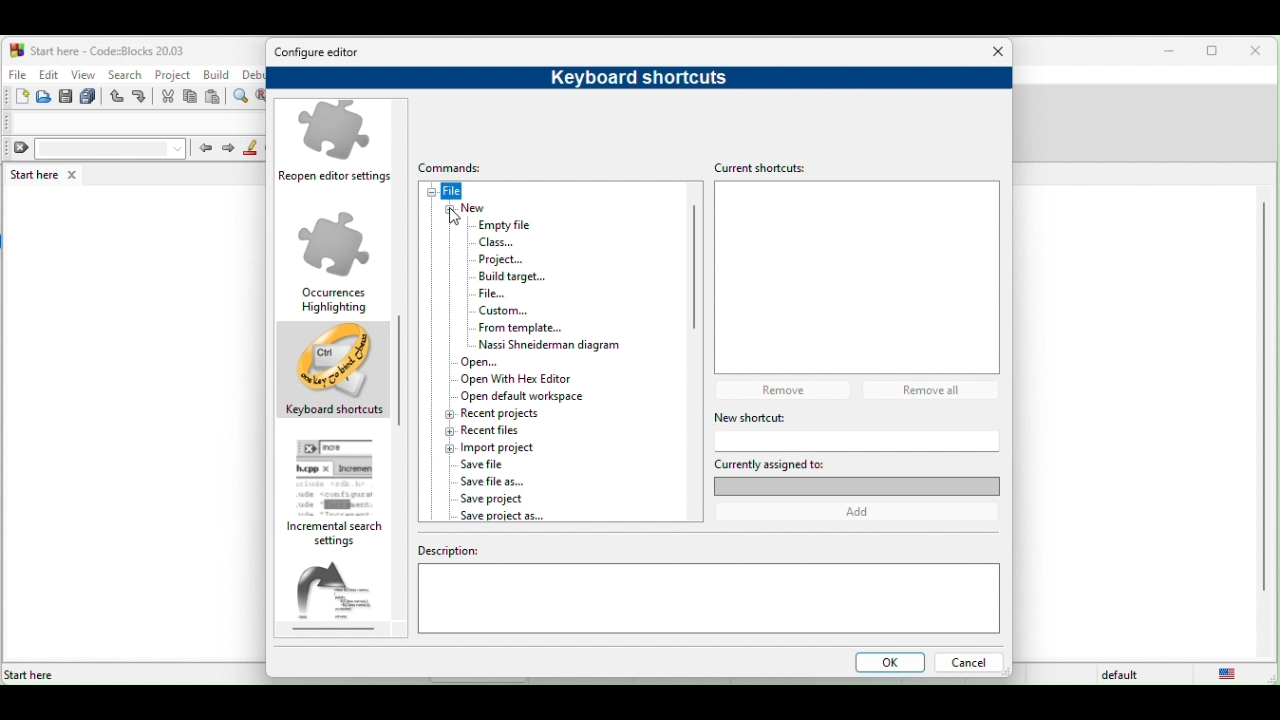  What do you see at coordinates (522, 311) in the screenshot?
I see `custom` at bounding box center [522, 311].